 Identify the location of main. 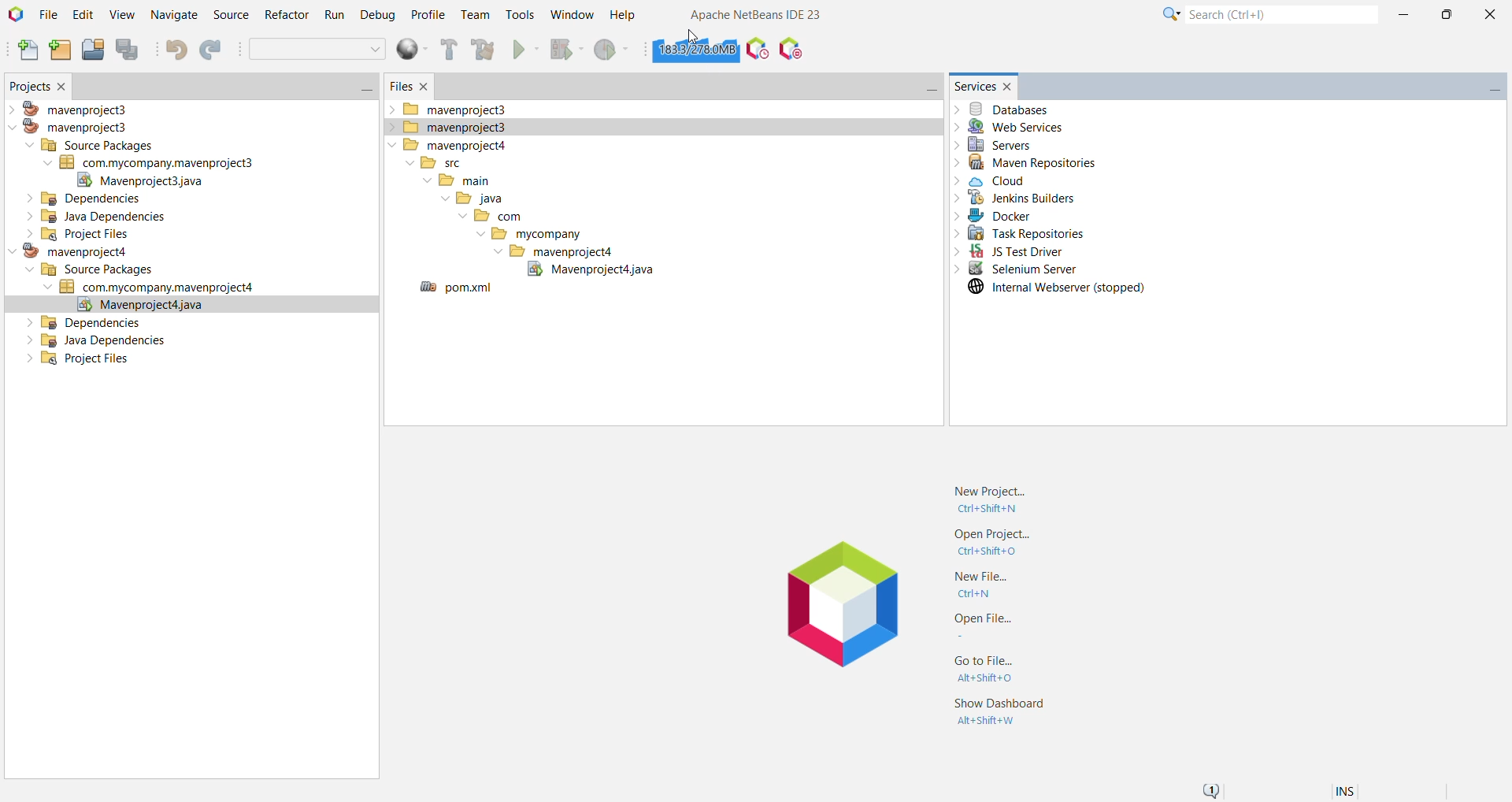
(458, 183).